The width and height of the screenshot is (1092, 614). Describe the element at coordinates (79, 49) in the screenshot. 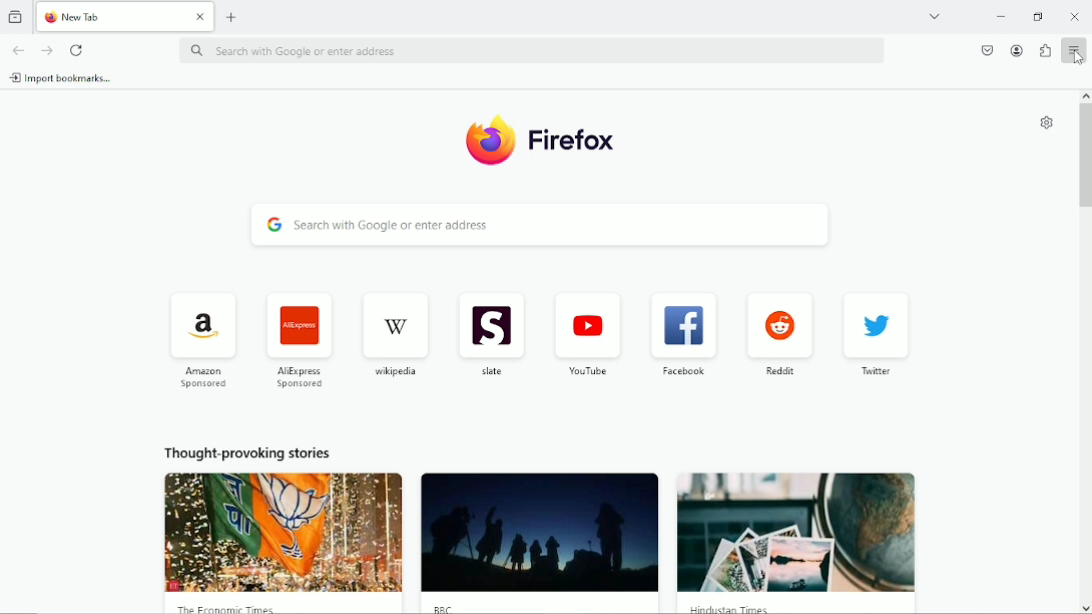

I see `reload current page` at that location.